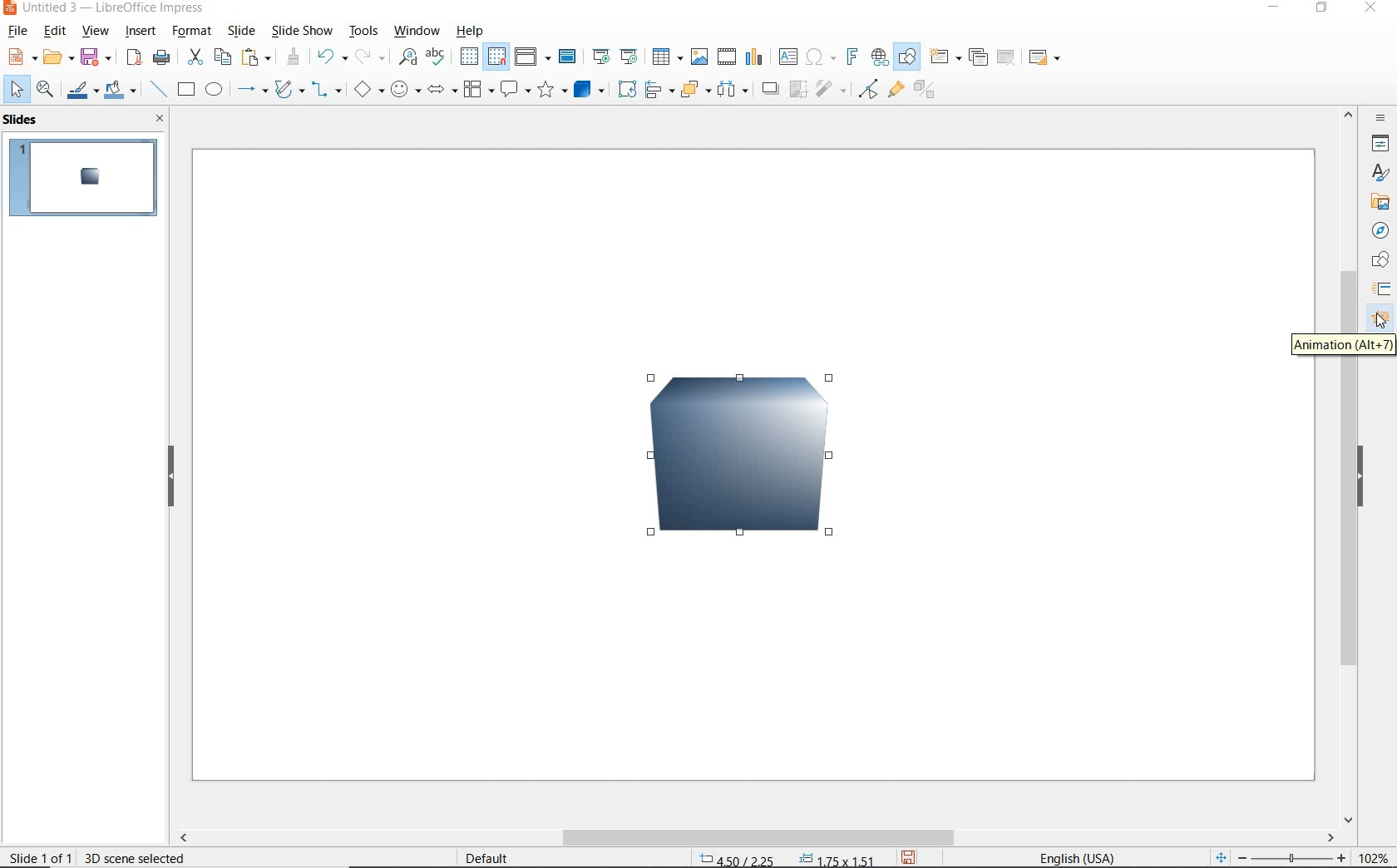 The width and height of the screenshot is (1397, 868). Describe the element at coordinates (1382, 289) in the screenshot. I see `SLIDE TRANSITION` at that location.